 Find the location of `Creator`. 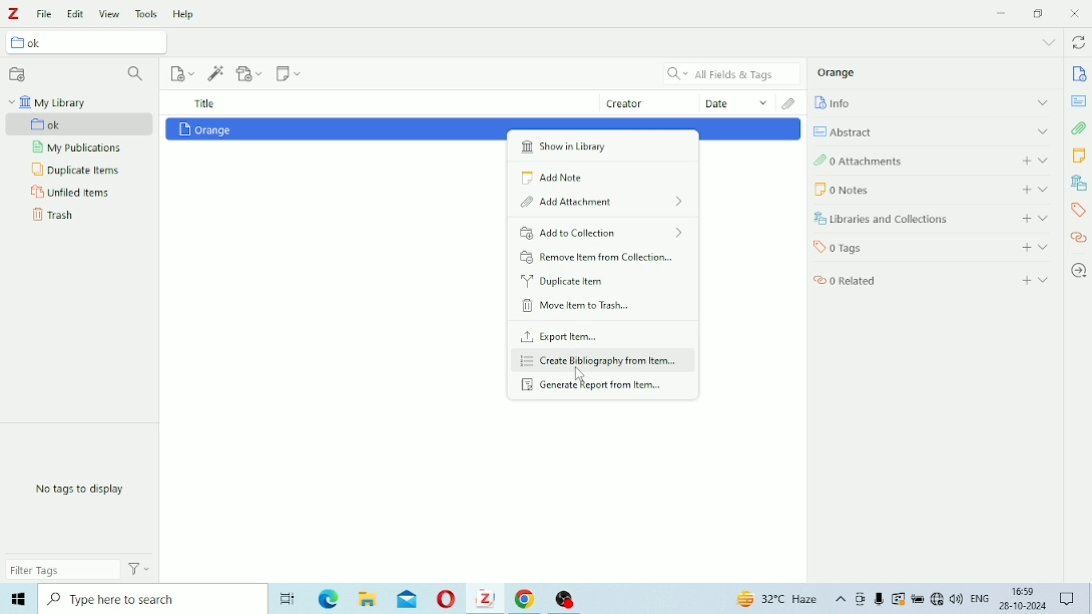

Creator is located at coordinates (650, 102).